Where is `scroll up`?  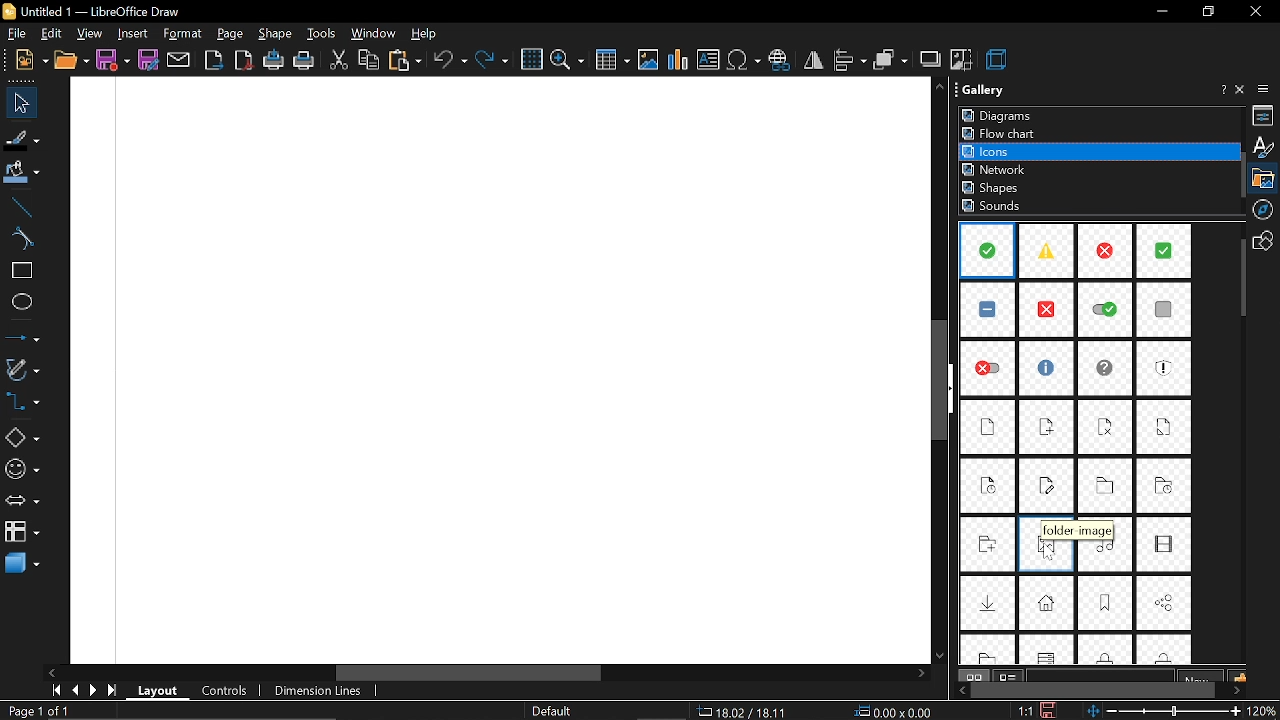
scroll up is located at coordinates (942, 88).